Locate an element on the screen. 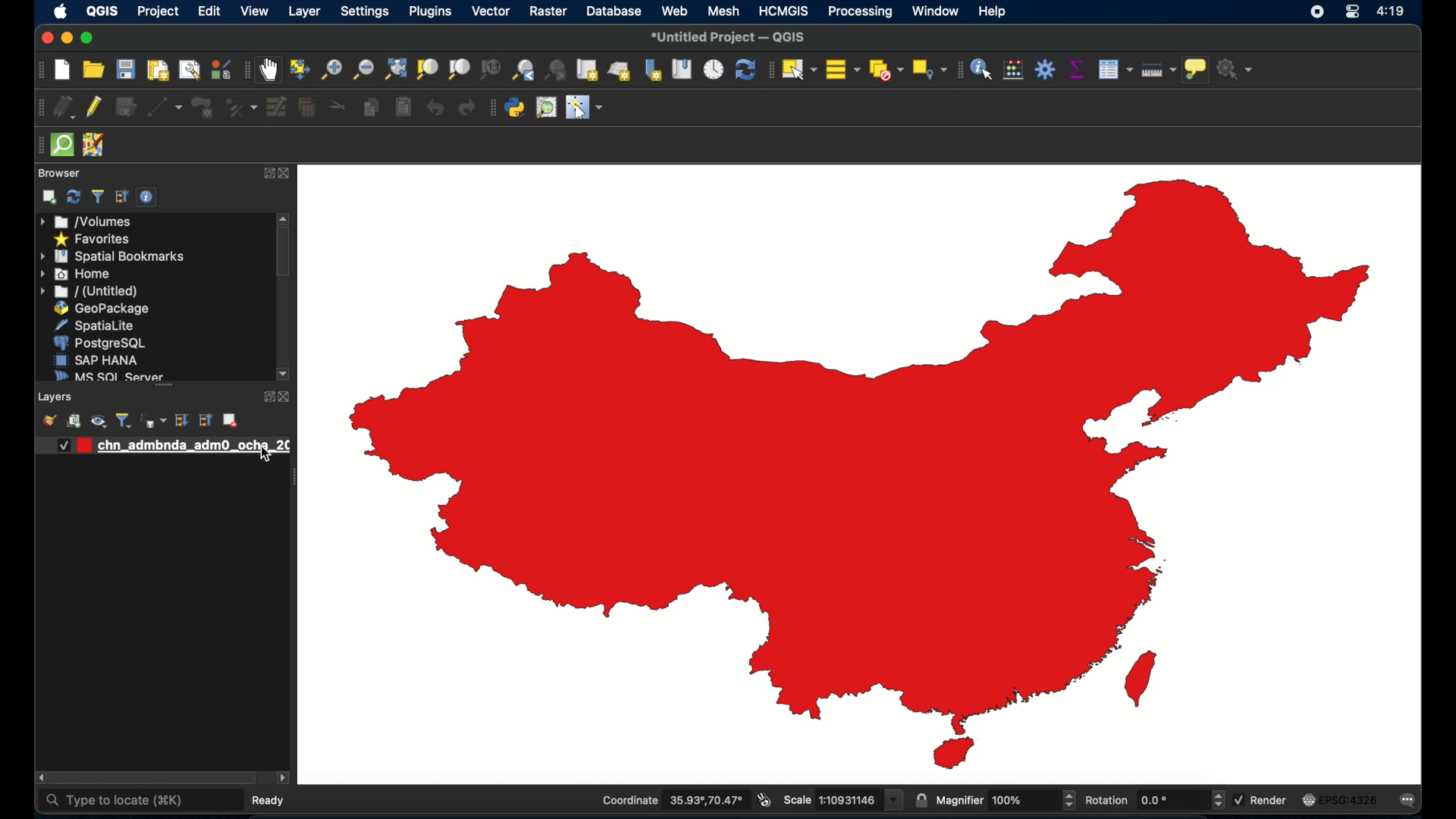  maximizing is located at coordinates (88, 39).